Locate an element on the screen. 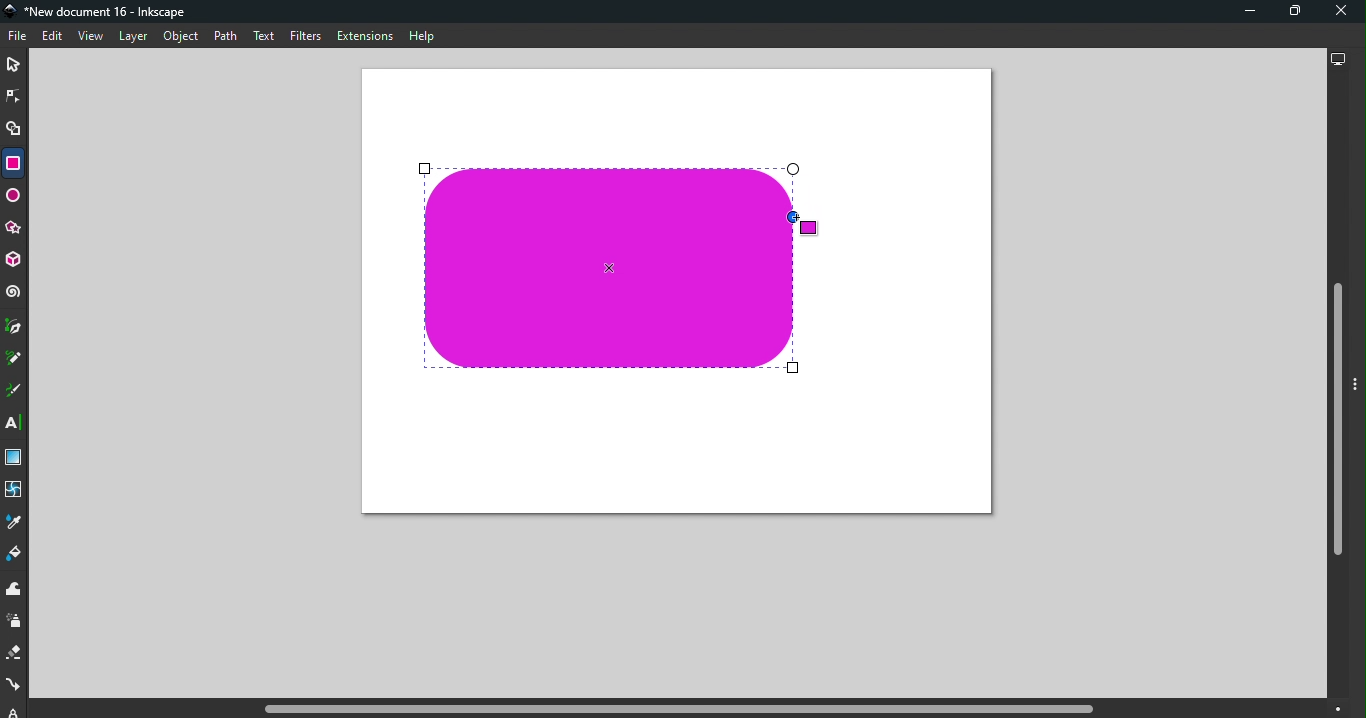  Rounded Rectangle is located at coordinates (609, 270).